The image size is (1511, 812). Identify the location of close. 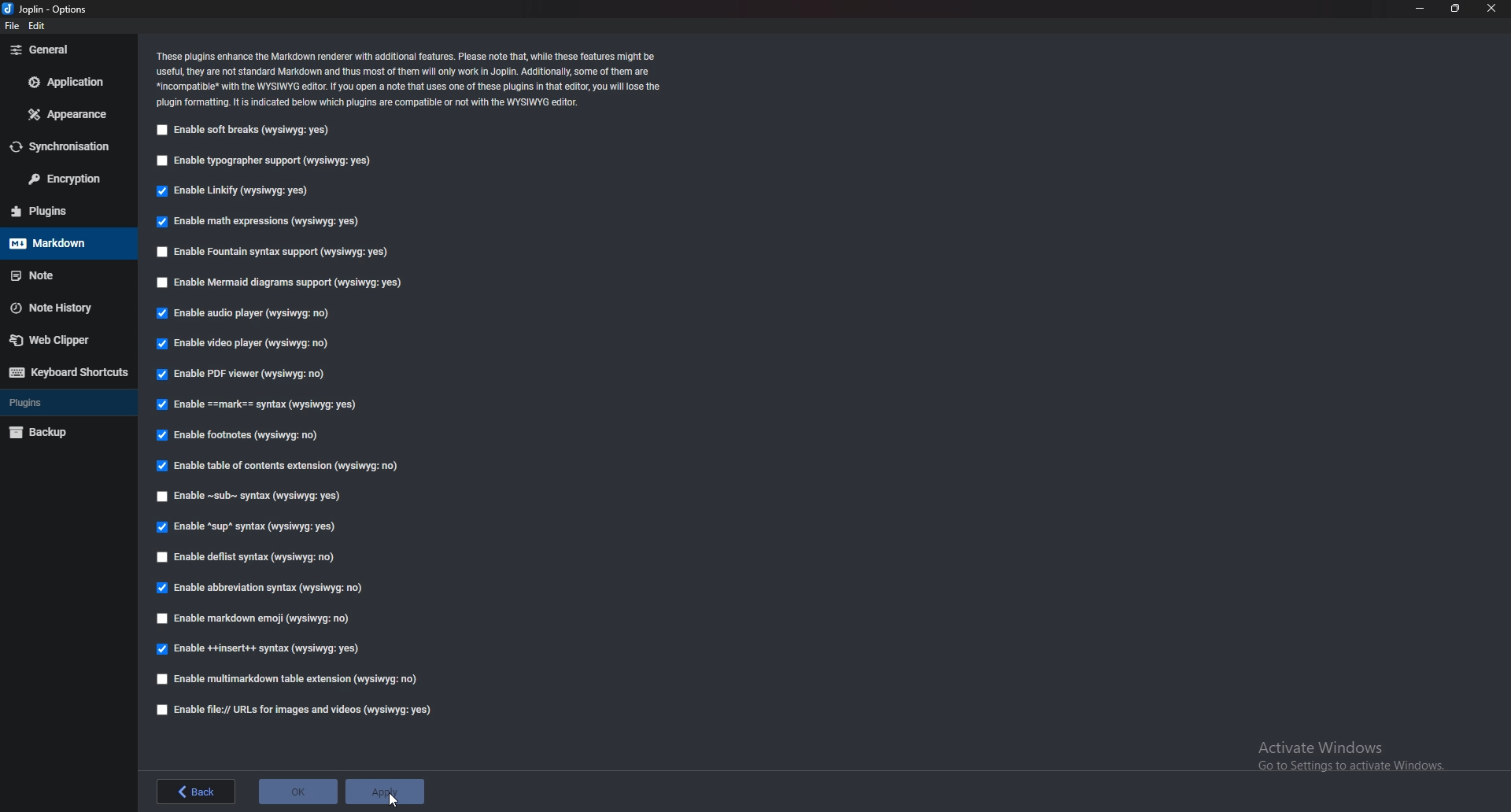
(1492, 7).